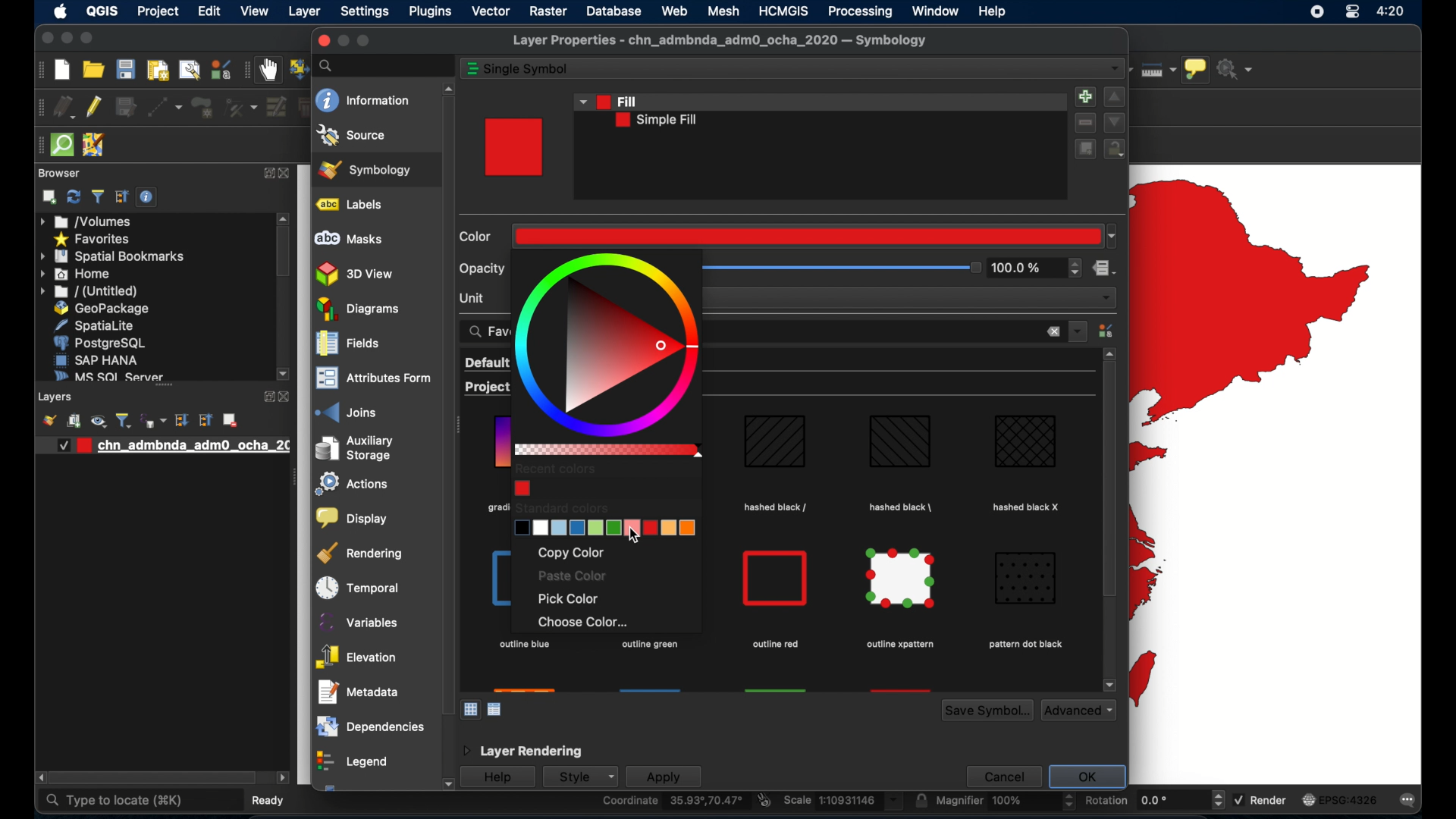 This screenshot has height=819, width=1456. What do you see at coordinates (164, 389) in the screenshot?
I see `layers` at bounding box center [164, 389].